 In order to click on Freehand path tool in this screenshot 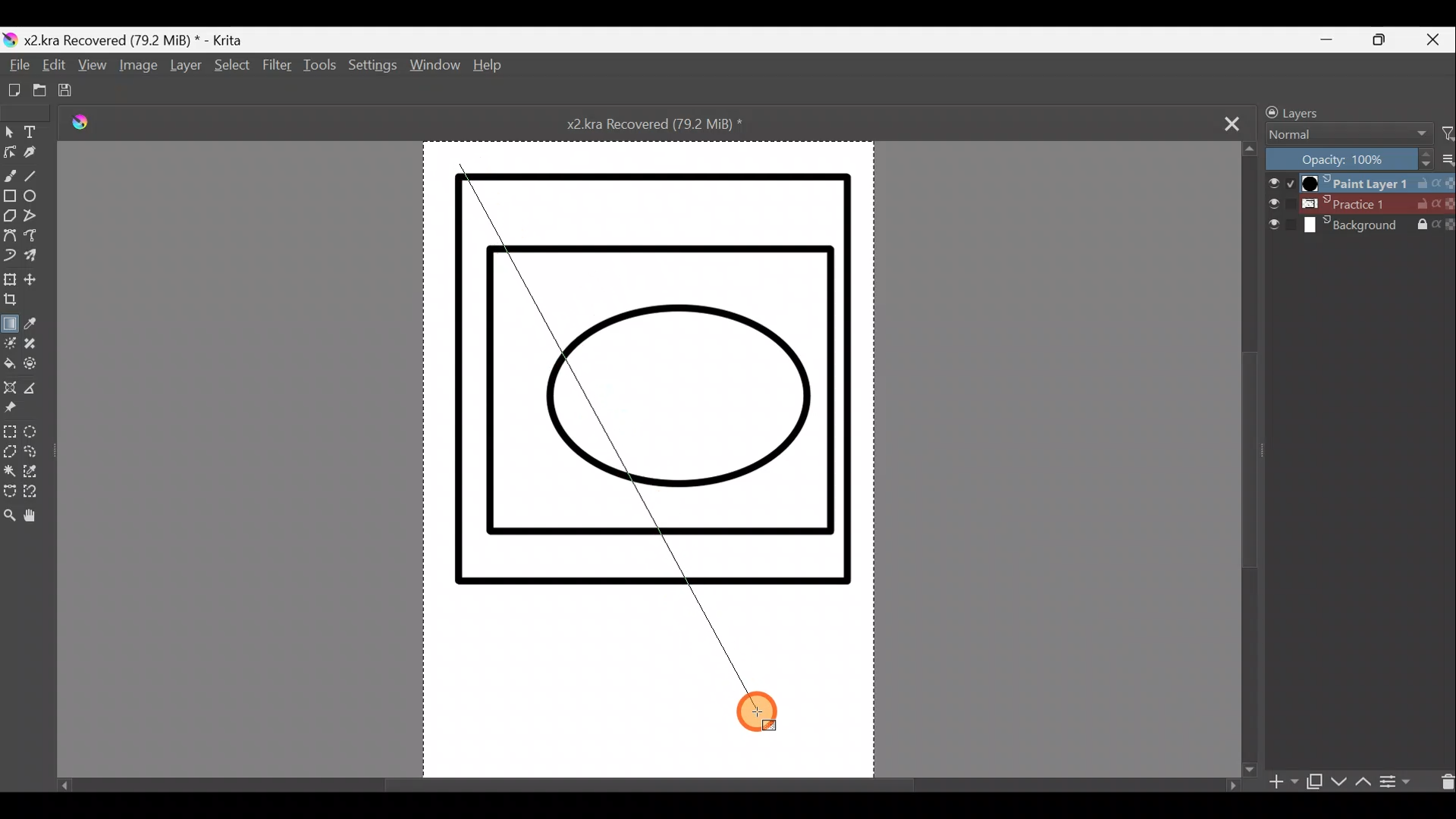, I will do `click(36, 240)`.